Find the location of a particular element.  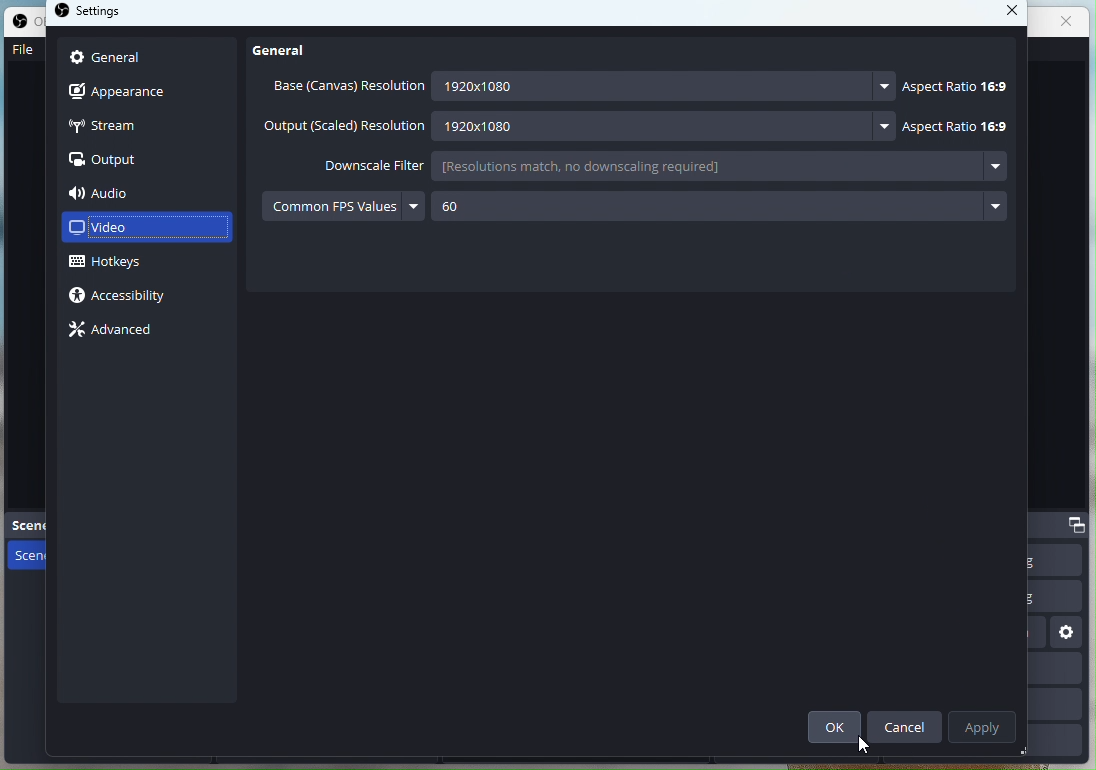

Cancel is located at coordinates (904, 727).